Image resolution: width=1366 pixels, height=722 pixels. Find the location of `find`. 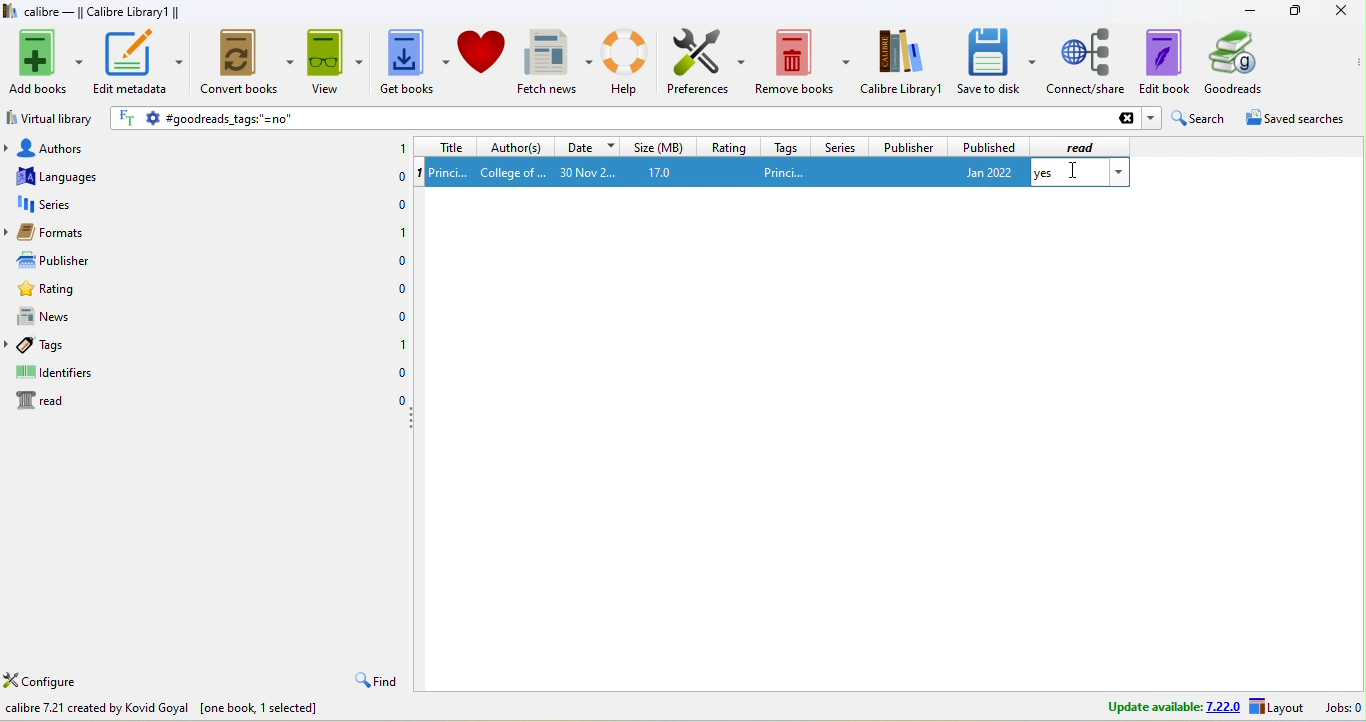

find is located at coordinates (375, 679).